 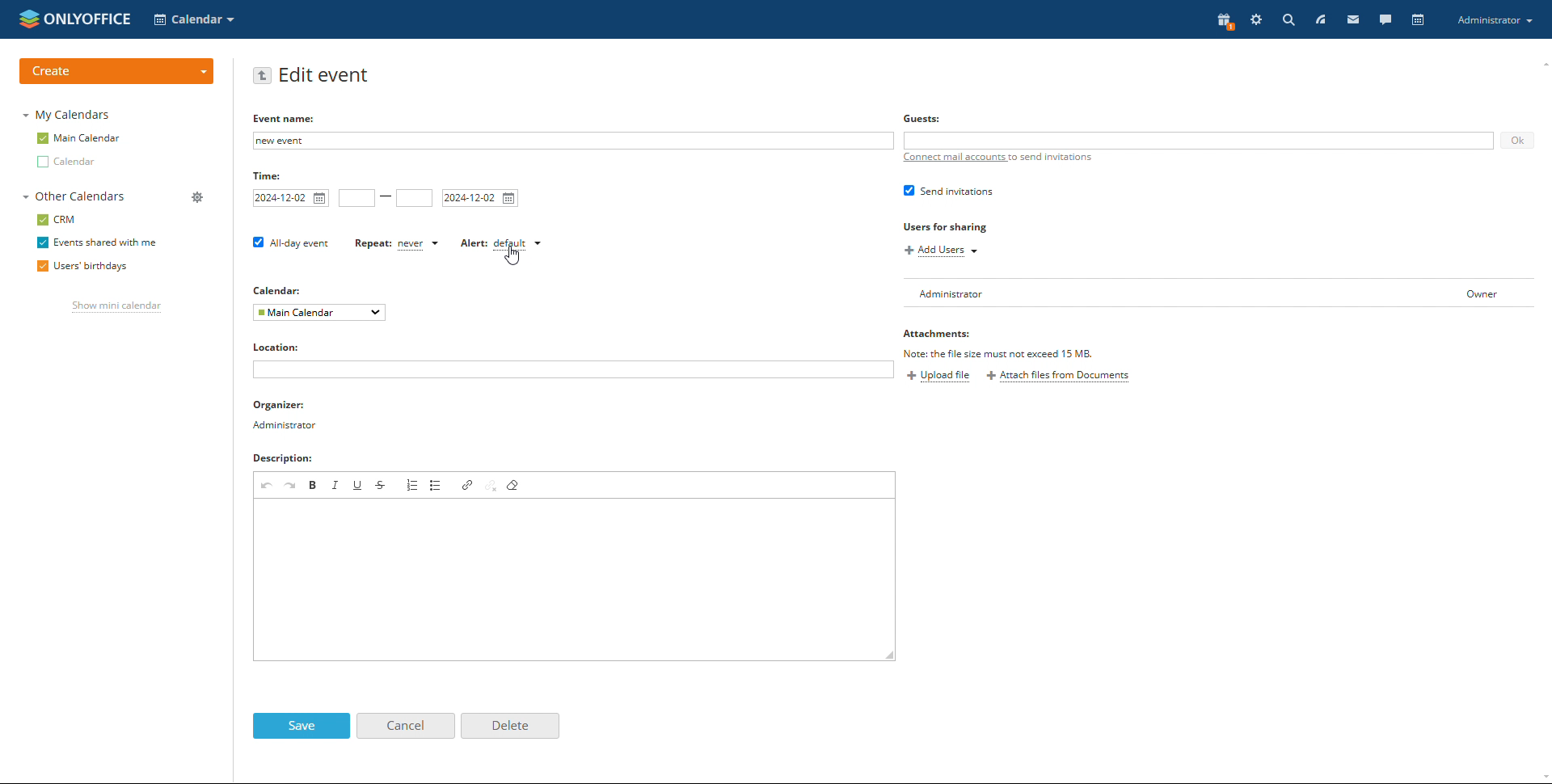 I want to click on other calendars, so click(x=74, y=196).